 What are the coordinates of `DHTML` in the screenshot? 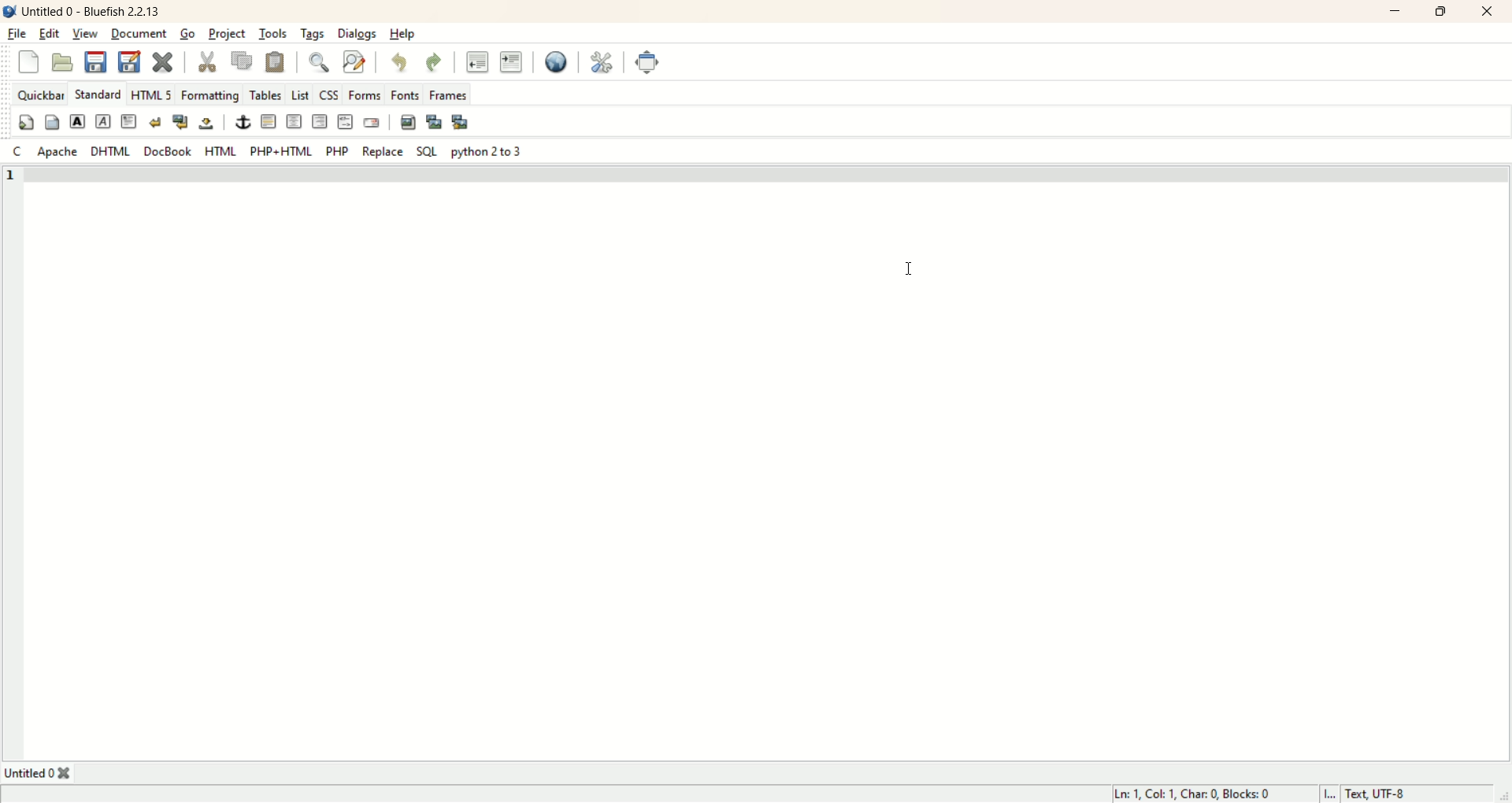 It's located at (109, 151).